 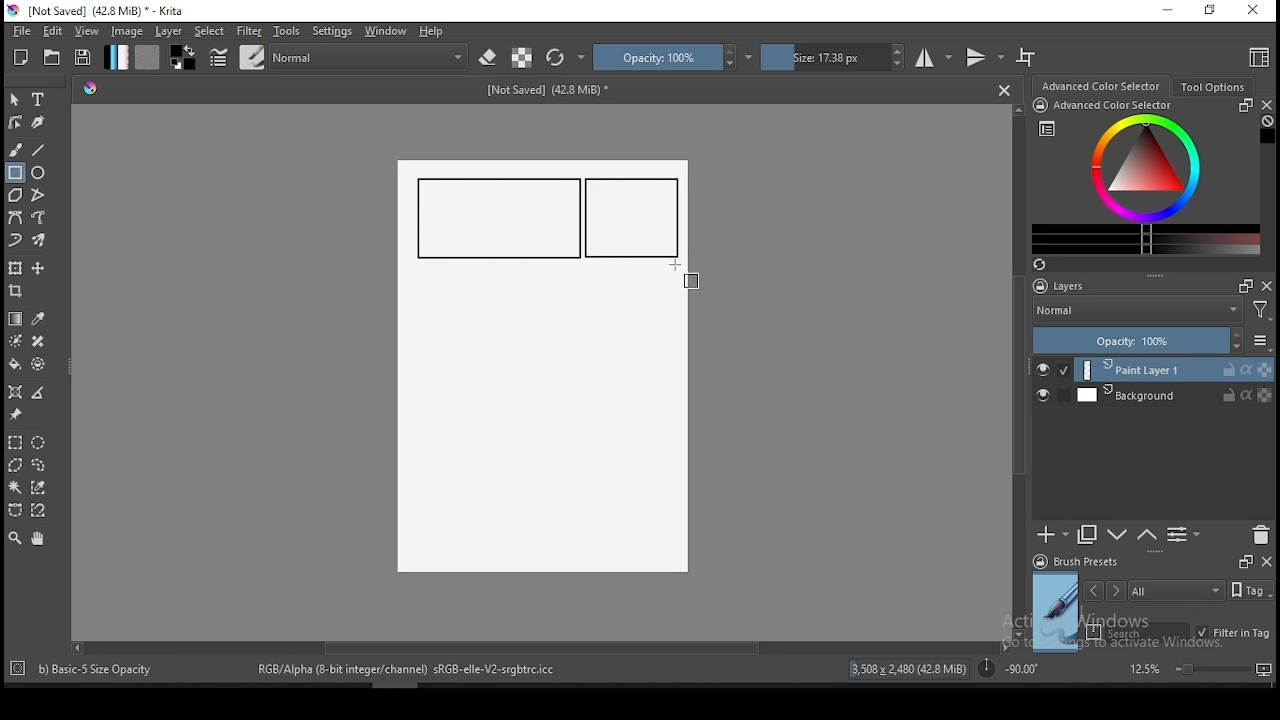 I want to click on line tool, so click(x=39, y=150).